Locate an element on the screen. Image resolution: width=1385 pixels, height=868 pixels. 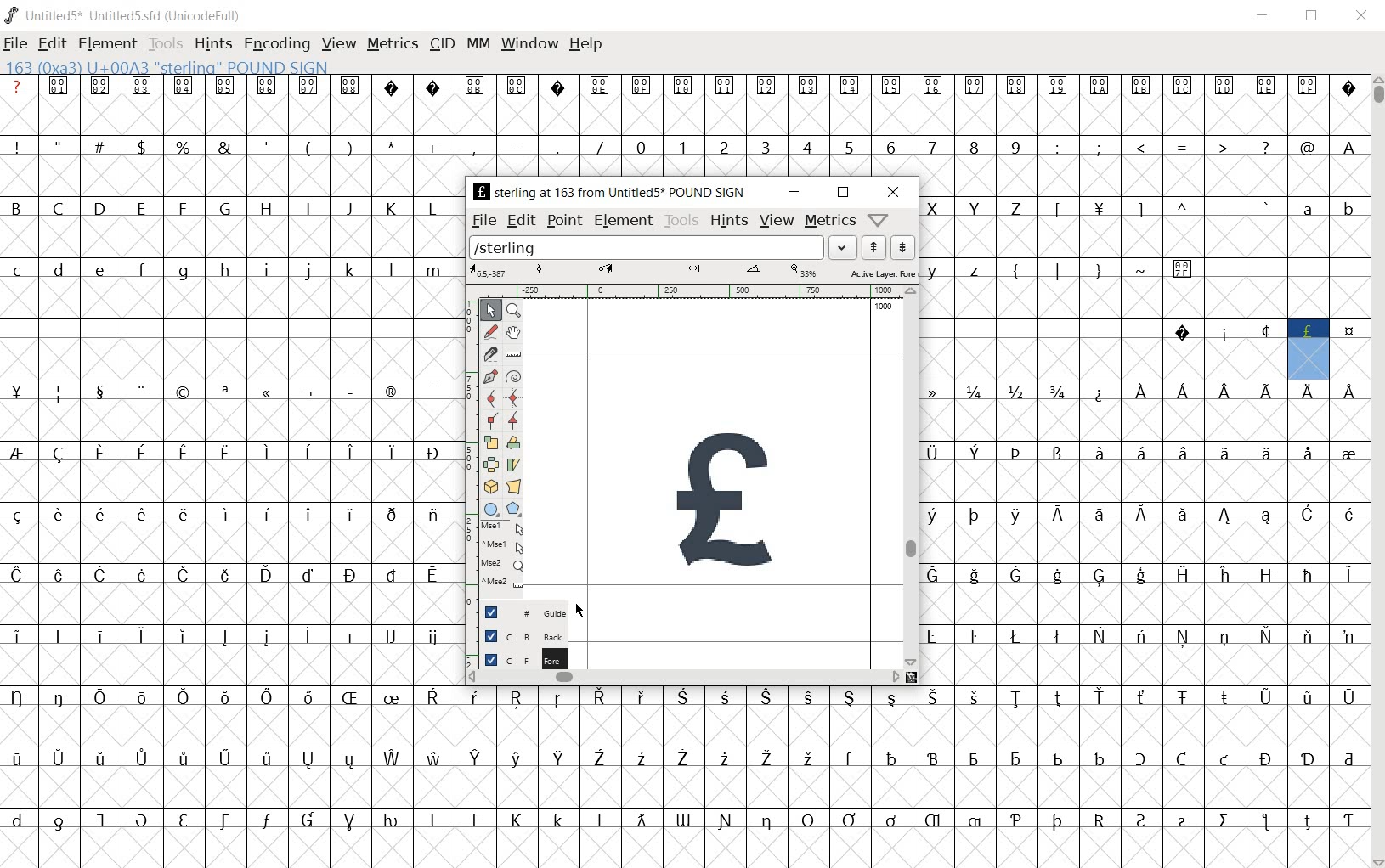
Symbol is located at coordinates (1307, 697).